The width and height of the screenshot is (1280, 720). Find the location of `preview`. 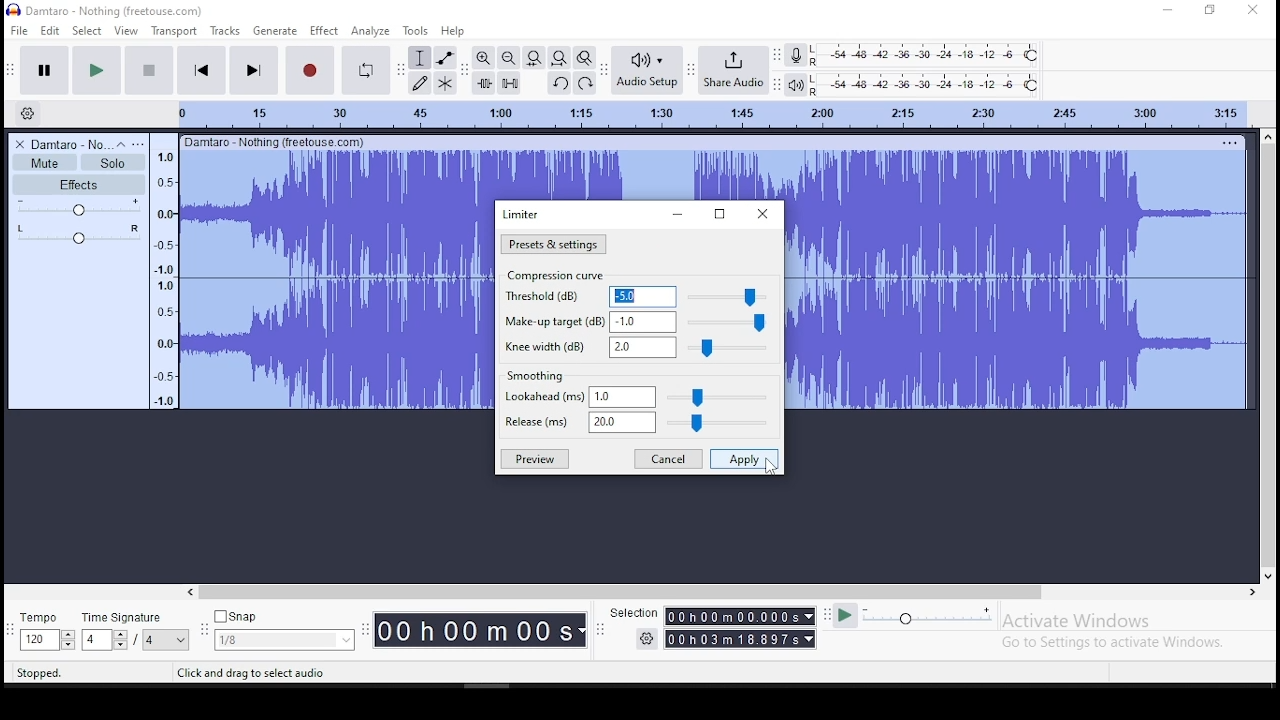

preview is located at coordinates (536, 458).